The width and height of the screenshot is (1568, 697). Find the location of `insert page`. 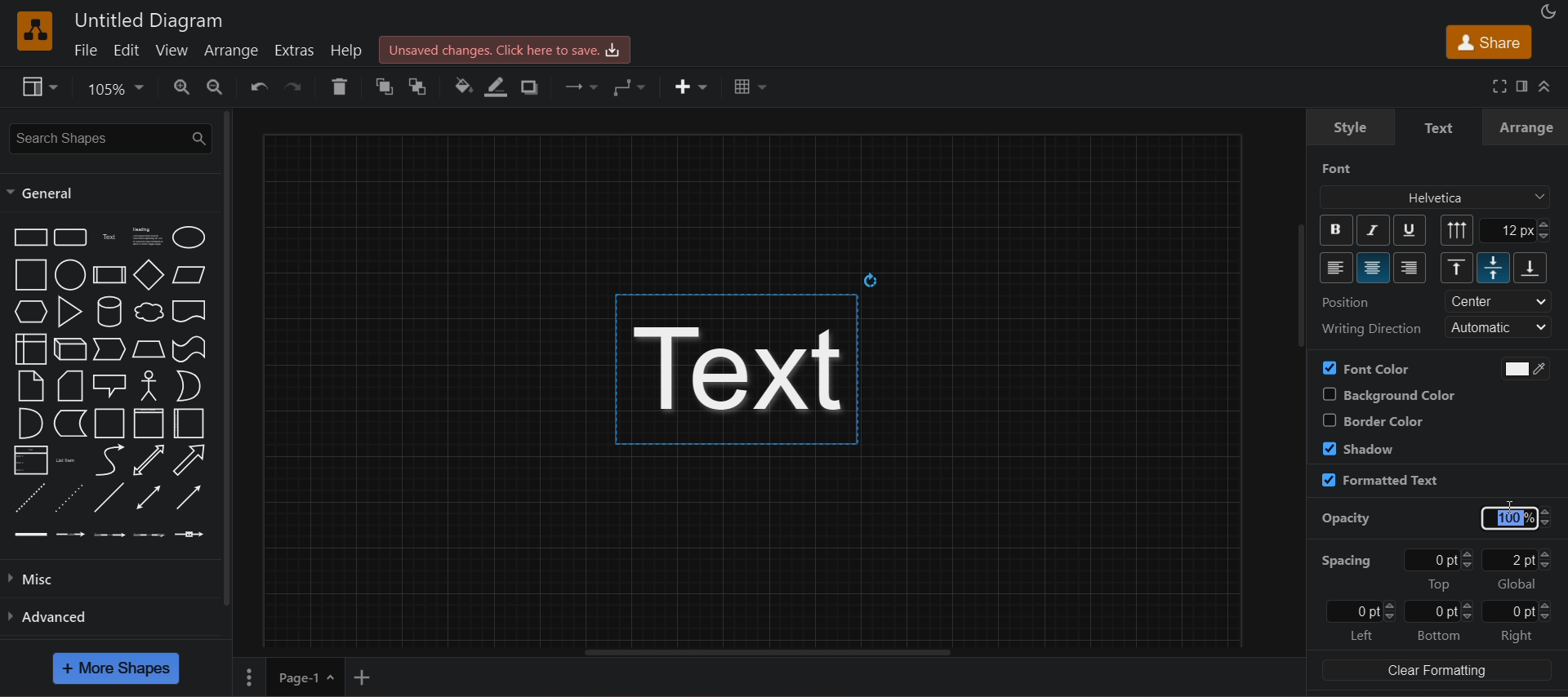

insert page is located at coordinates (362, 677).